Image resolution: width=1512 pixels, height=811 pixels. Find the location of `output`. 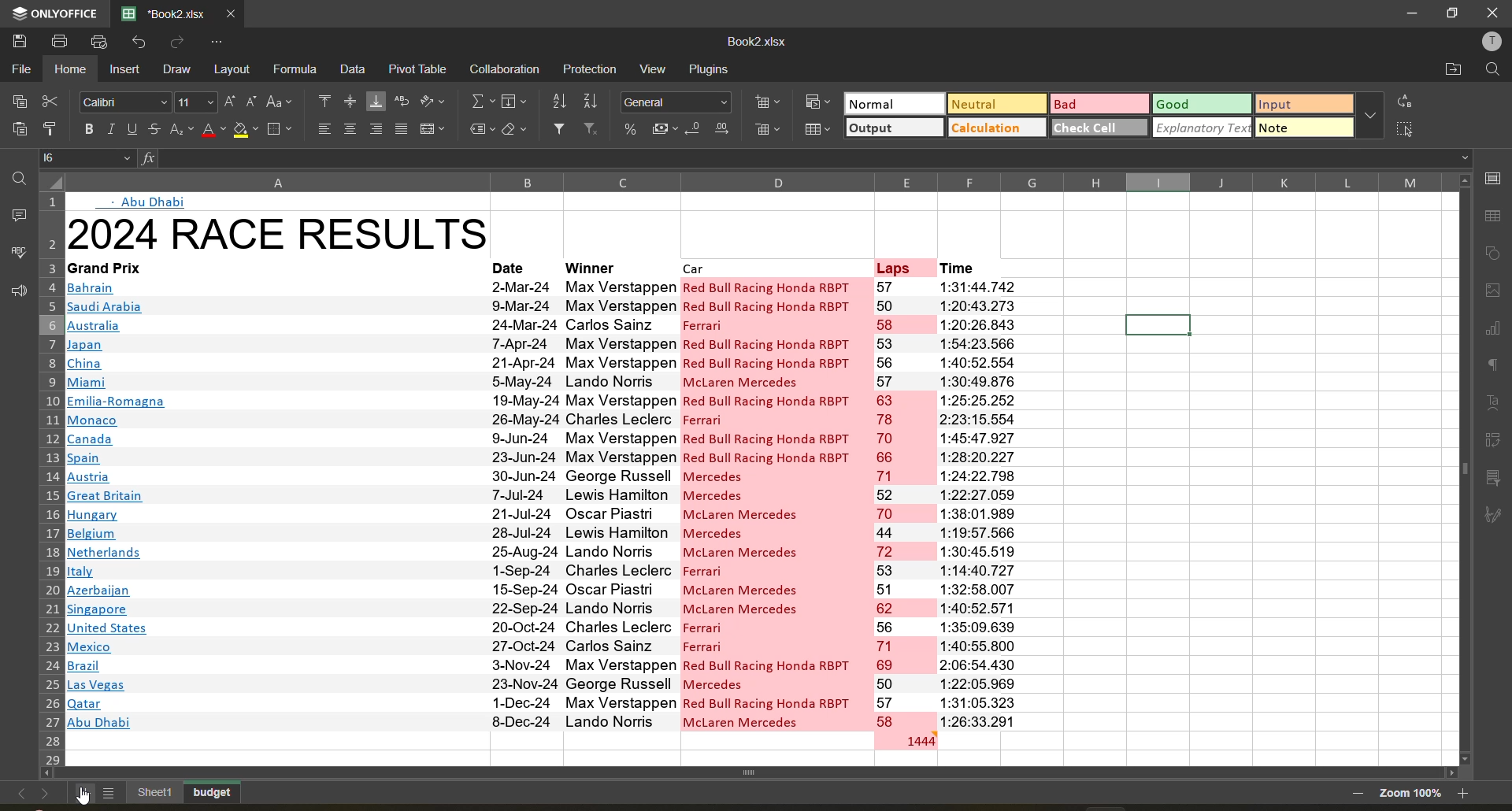

output is located at coordinates (895, 128).